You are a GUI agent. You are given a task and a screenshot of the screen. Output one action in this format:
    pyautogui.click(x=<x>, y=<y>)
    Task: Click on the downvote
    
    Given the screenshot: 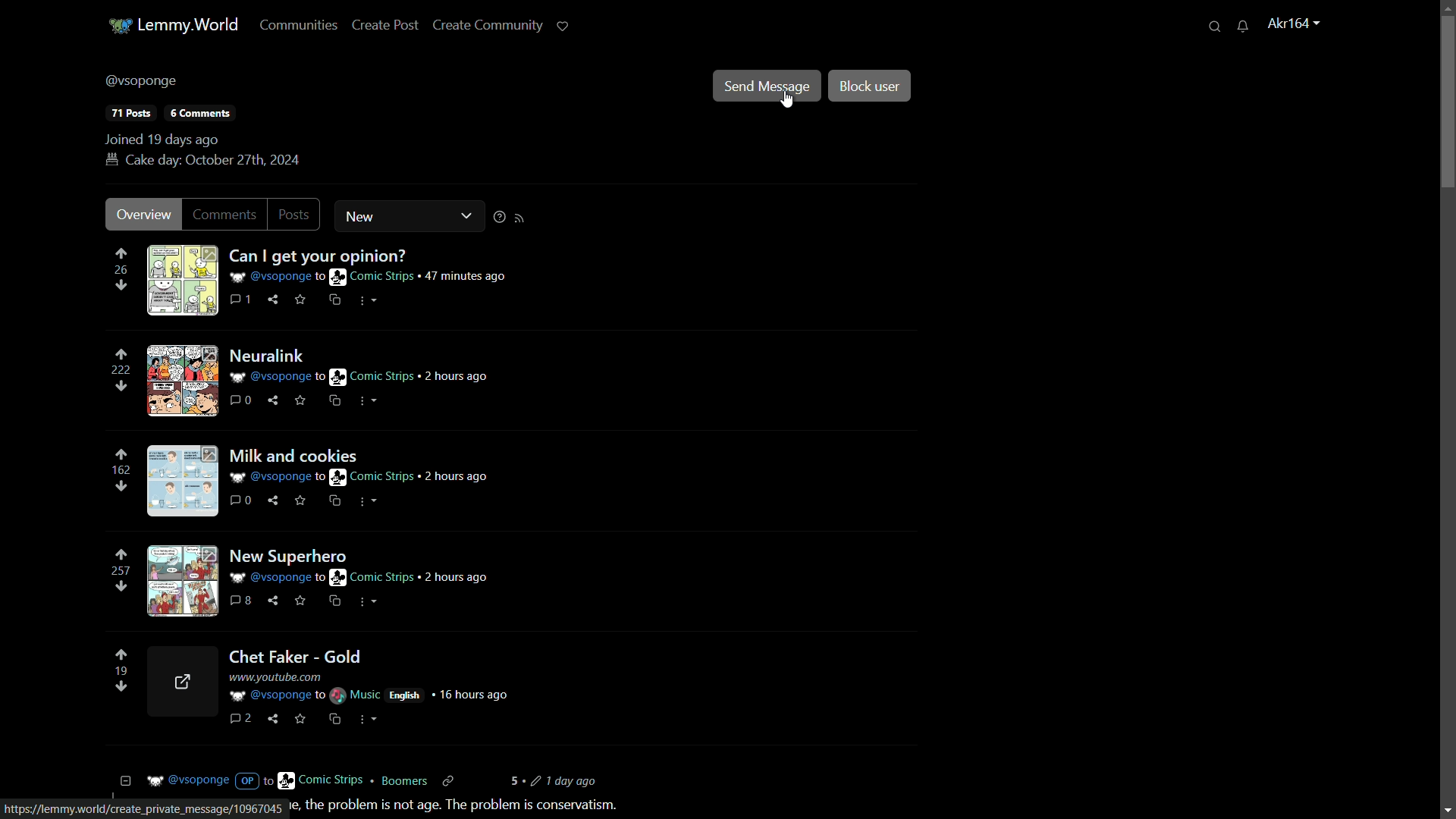 What is the action you would take?
    pyautogui.click(x=120, y=286)
    